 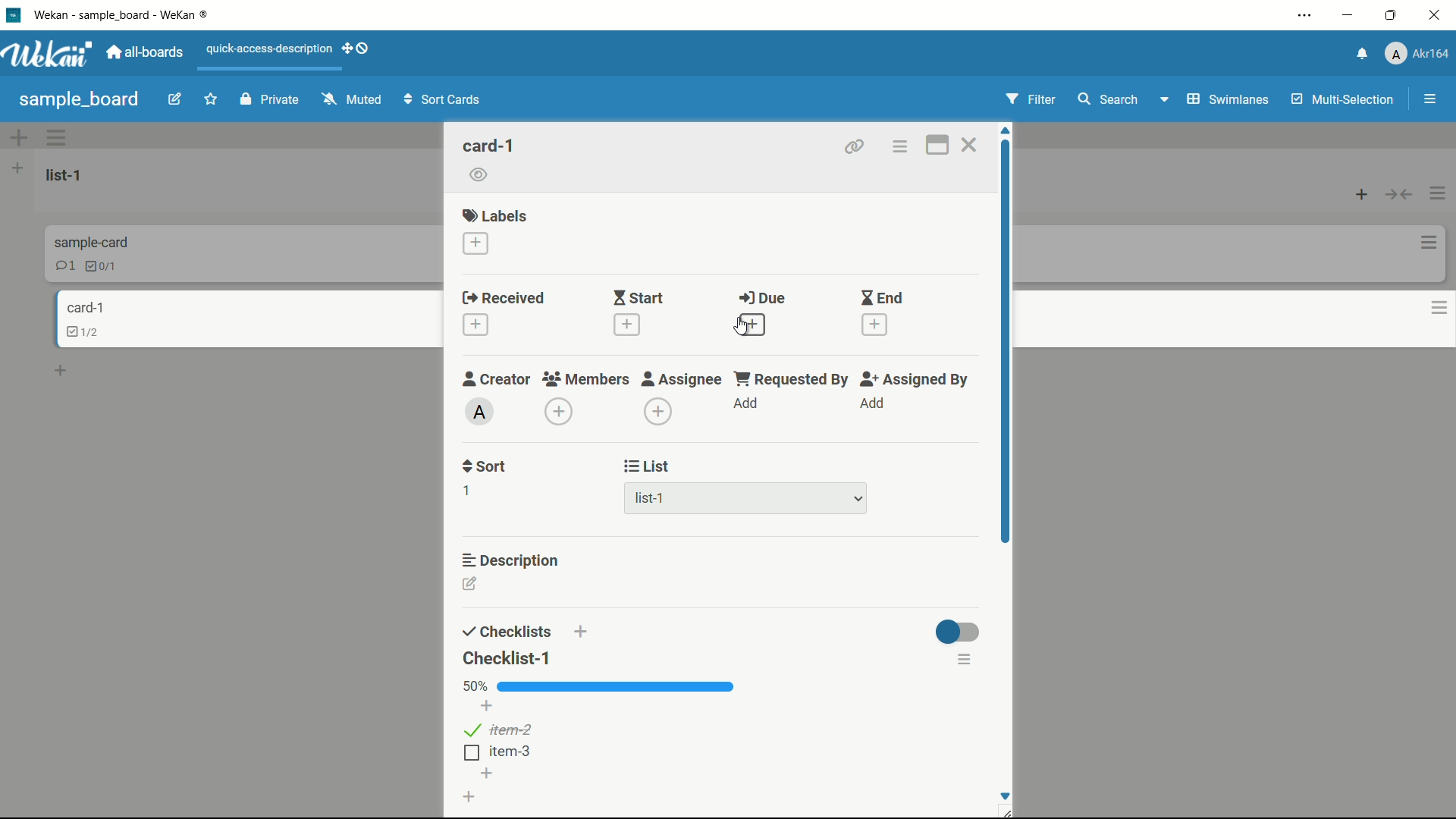 I want to click on add checklist, so click(x=468, y=797).